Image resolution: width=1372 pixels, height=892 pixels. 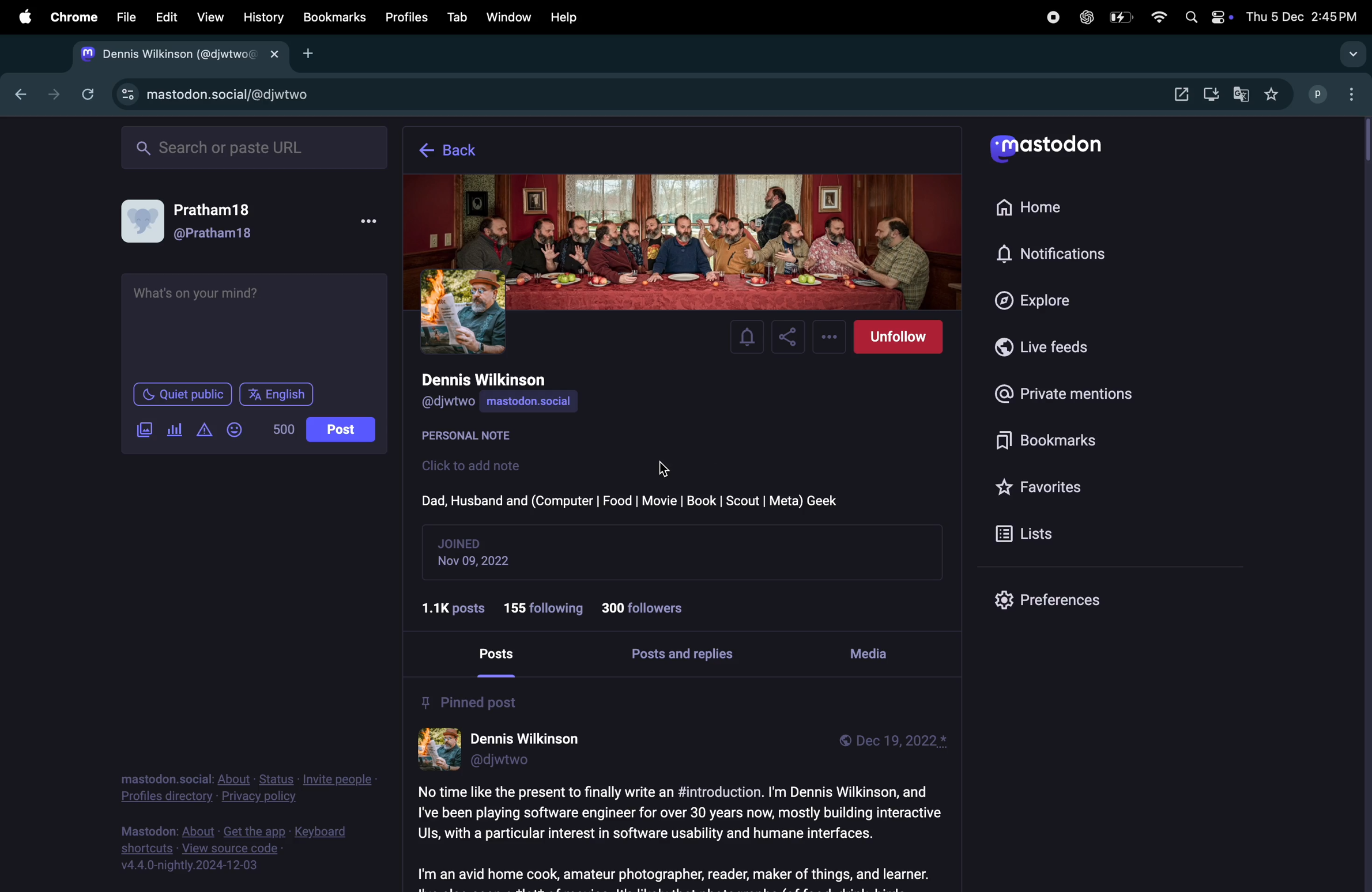 What do you see at coordinates (1242, 94) in the screenshot?
I see `google translate` at bounding box center [1242, 94].